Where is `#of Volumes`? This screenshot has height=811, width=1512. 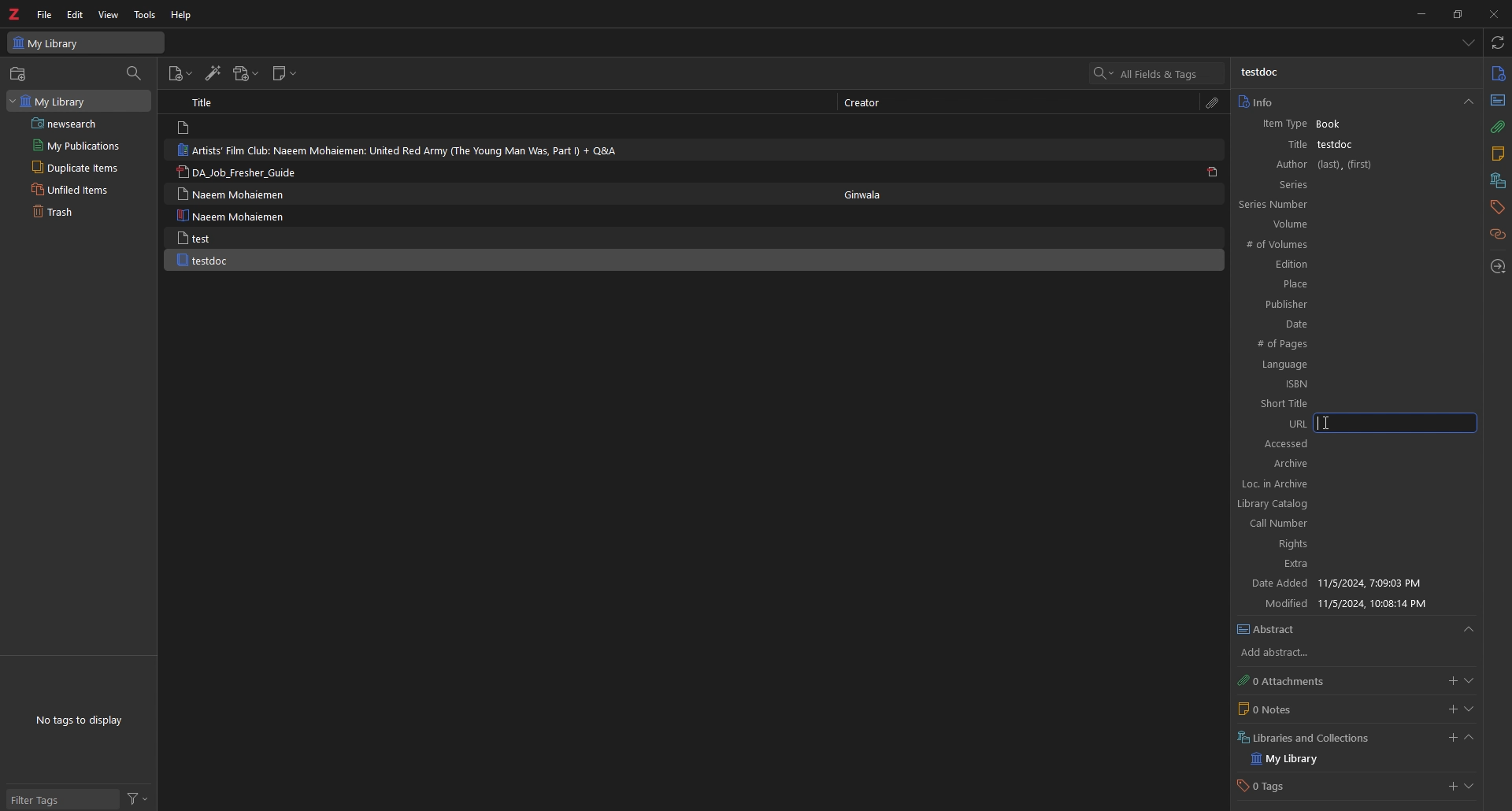 #of Volumes is located at coordinates (1323, 245).